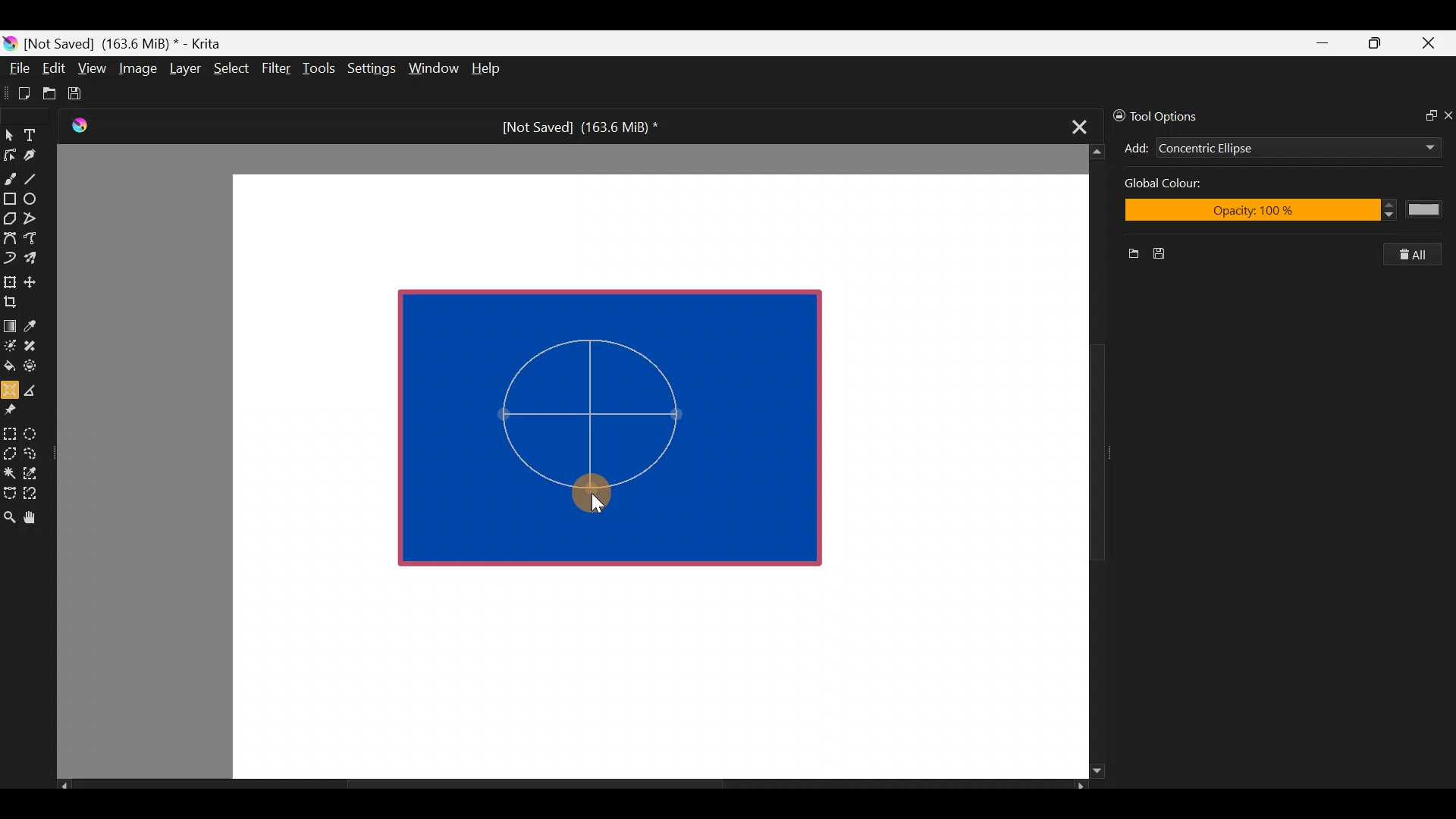  I want to click on Bezier curve selection tool, so click(9, 491).